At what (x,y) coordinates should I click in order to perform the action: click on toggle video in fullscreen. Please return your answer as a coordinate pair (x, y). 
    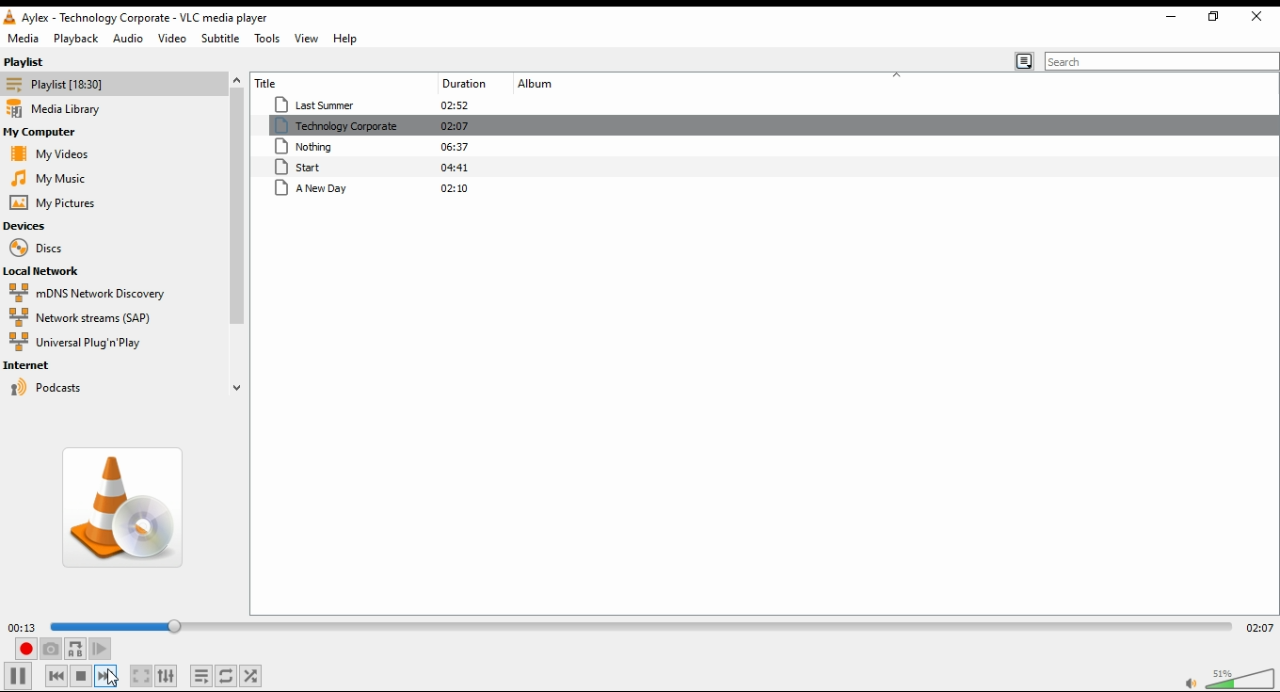
    Looking at the image, I should click on (140, 675).